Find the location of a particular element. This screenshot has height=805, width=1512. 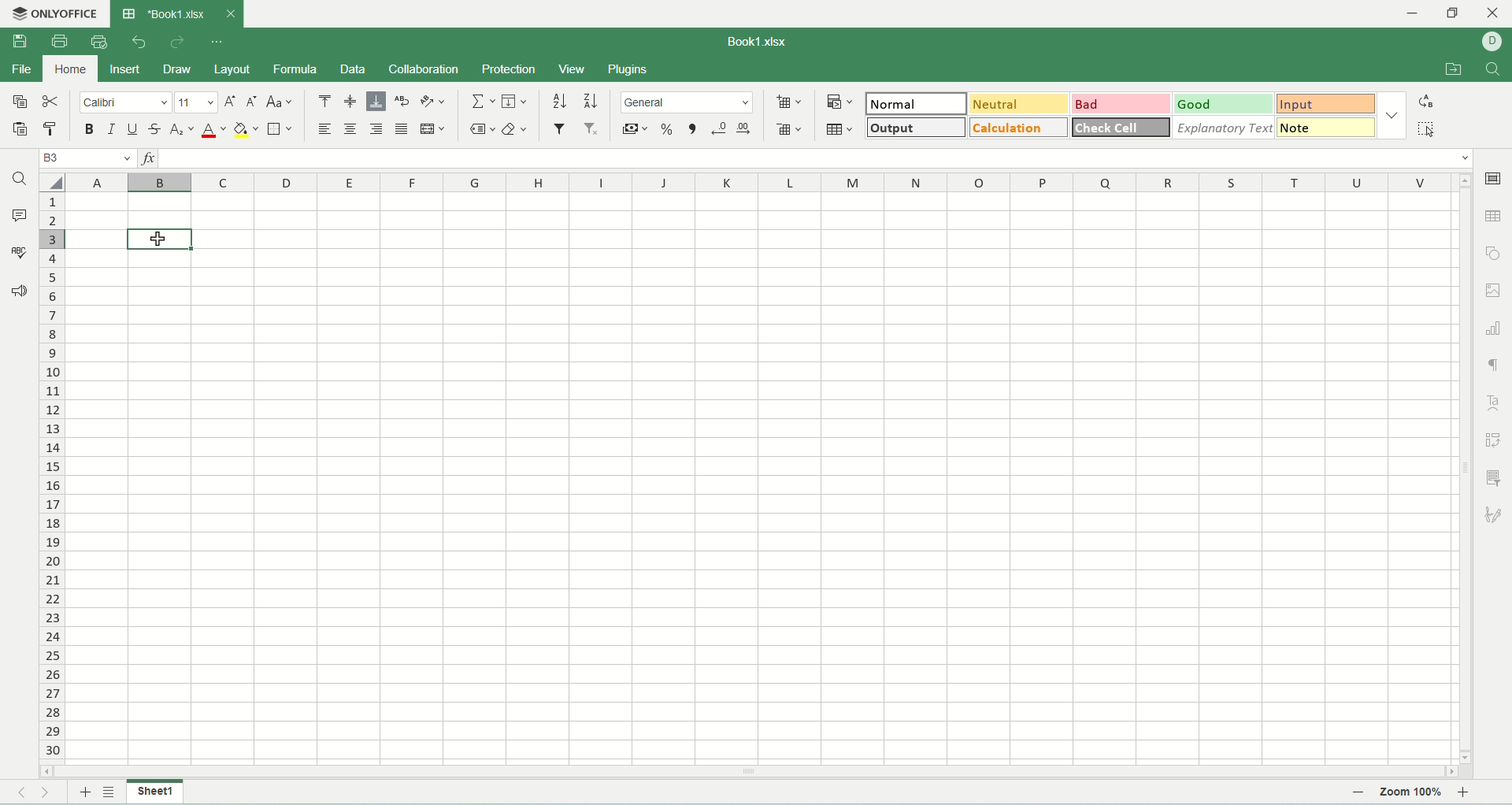

*Book1.xlsx is located at coordinates (176, 13).